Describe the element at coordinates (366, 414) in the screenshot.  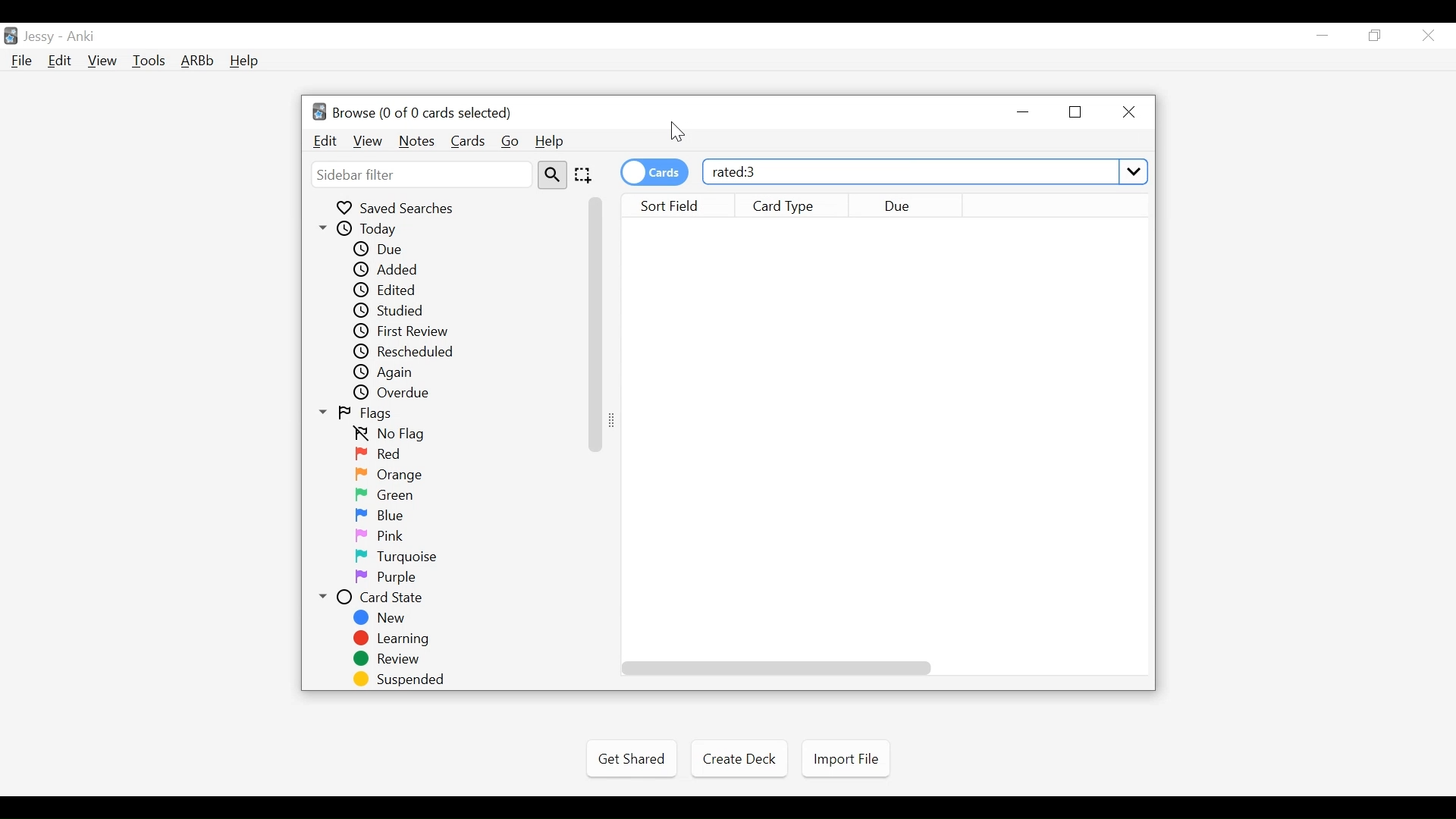
I see `Flags` at that location.